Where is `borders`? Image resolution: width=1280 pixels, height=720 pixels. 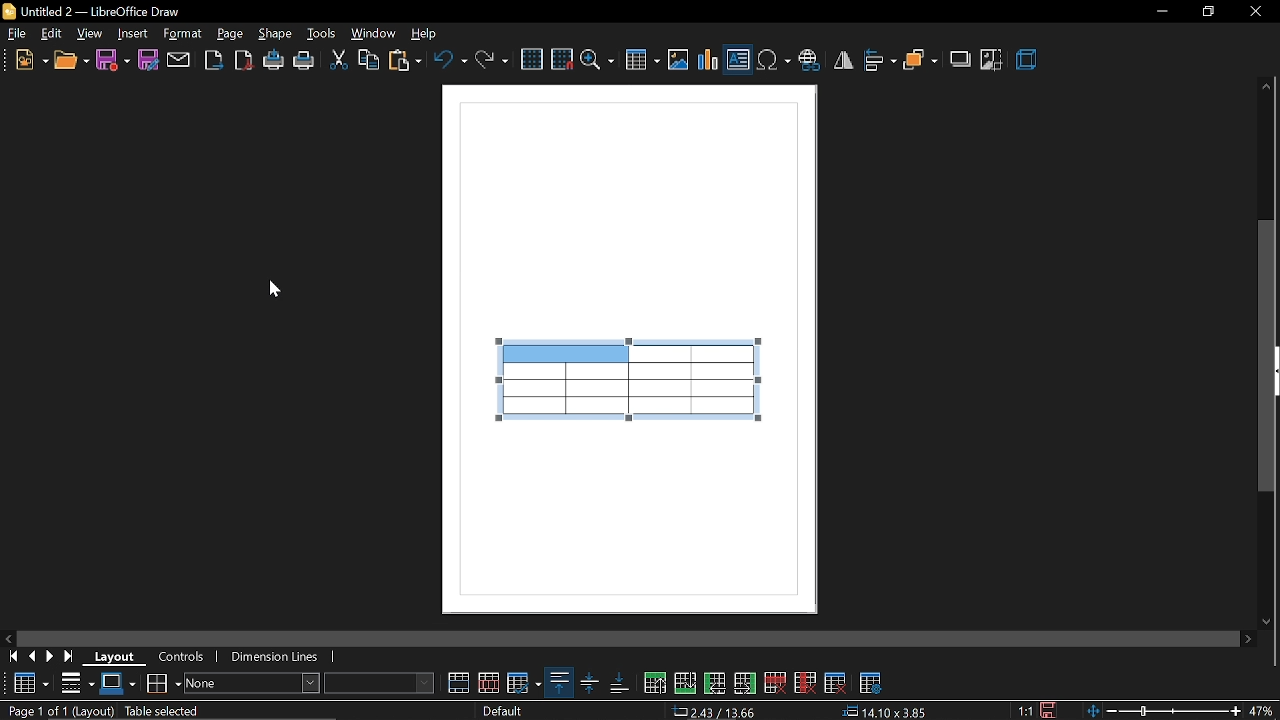 borders is located at coordinates (163, 682).